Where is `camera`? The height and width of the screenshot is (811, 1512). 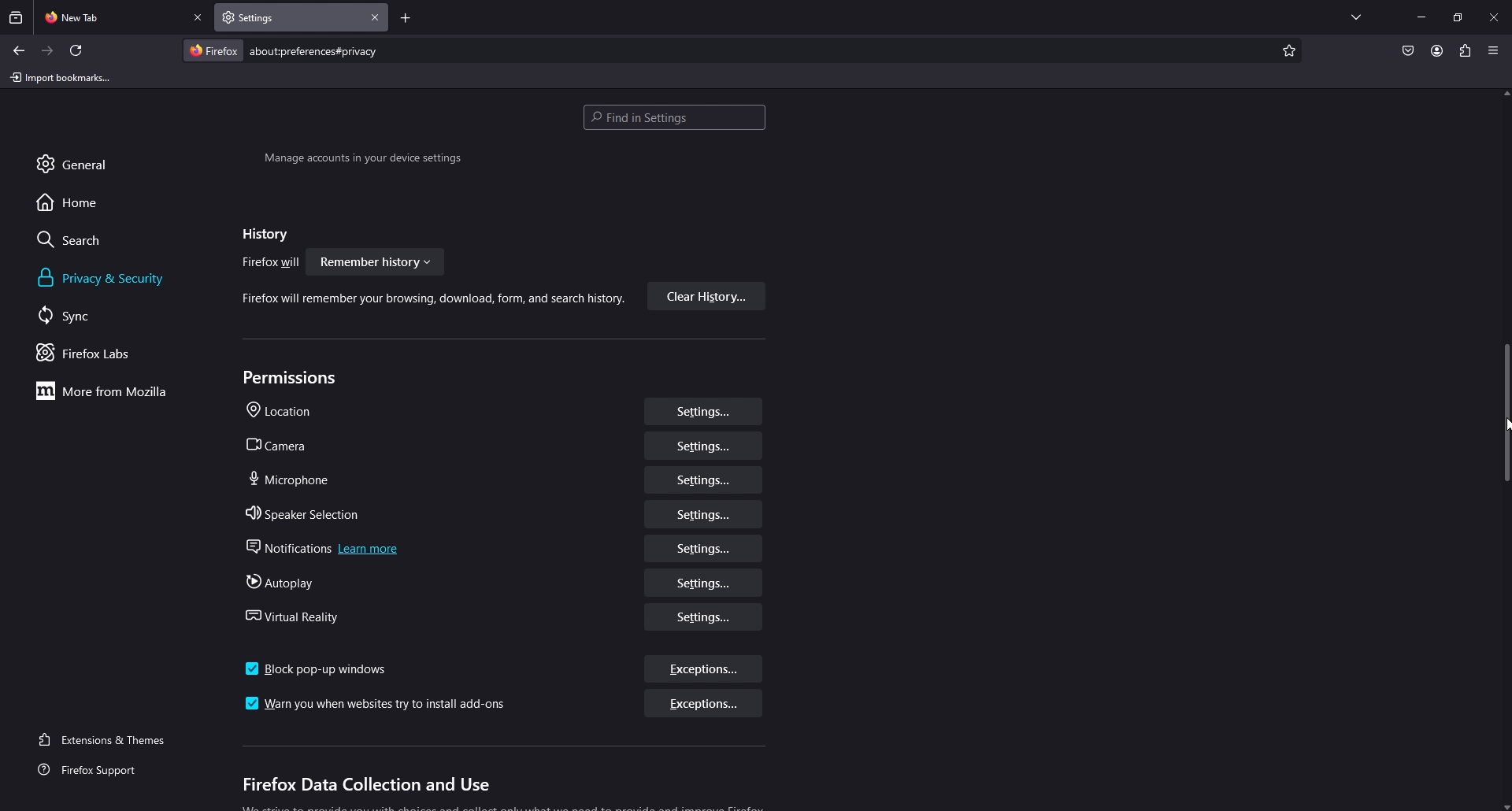 camera is located at coordinates (286, 446).